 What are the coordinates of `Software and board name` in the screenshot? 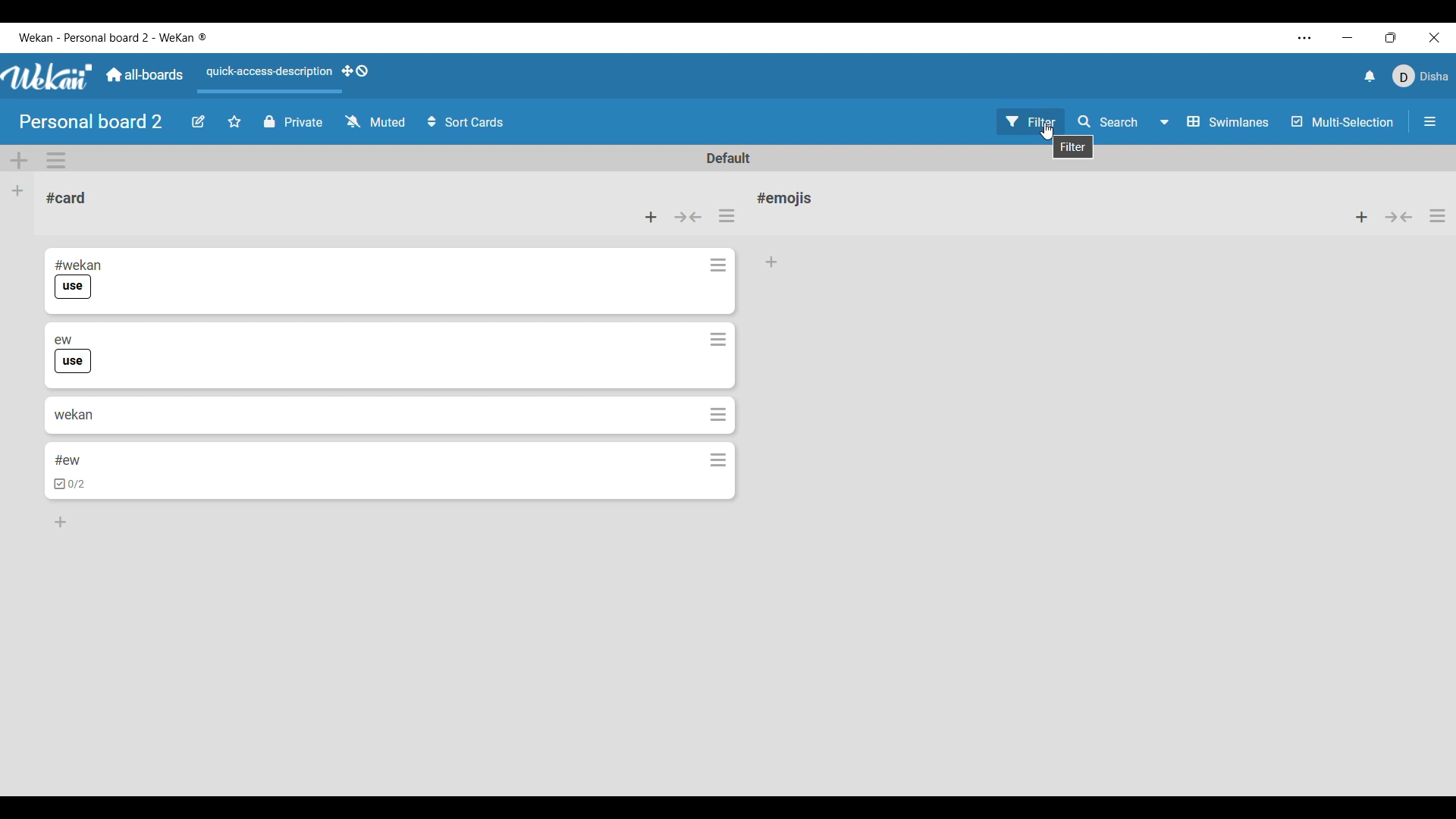 It's located at (111, 37).